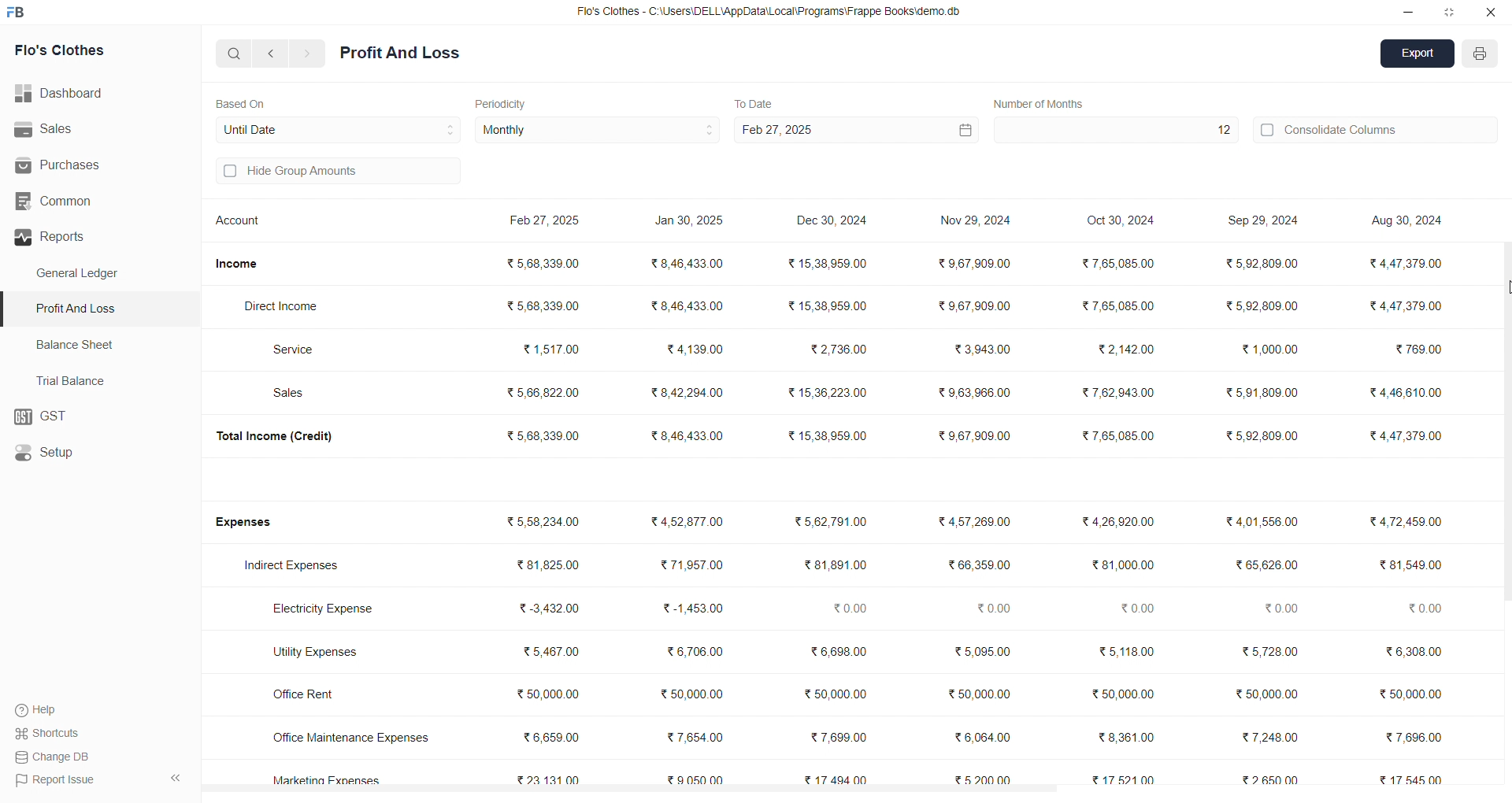 The height and width of the screenshot is (803, 1512). I want to click on ₹5,68,339.00, so click(546, 435).